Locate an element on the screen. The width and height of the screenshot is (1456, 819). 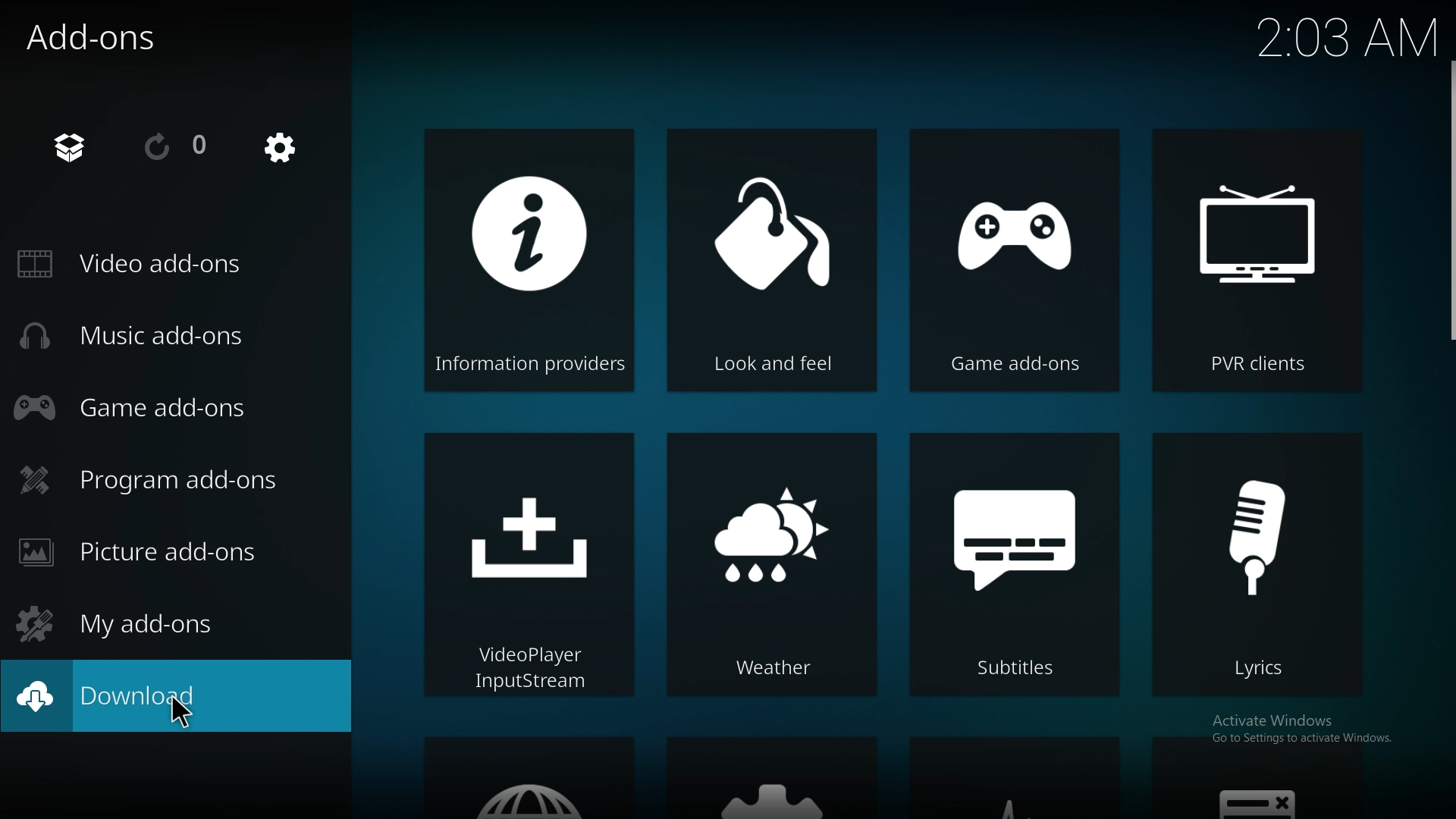
add on browser is located at coordinates (74, 146).